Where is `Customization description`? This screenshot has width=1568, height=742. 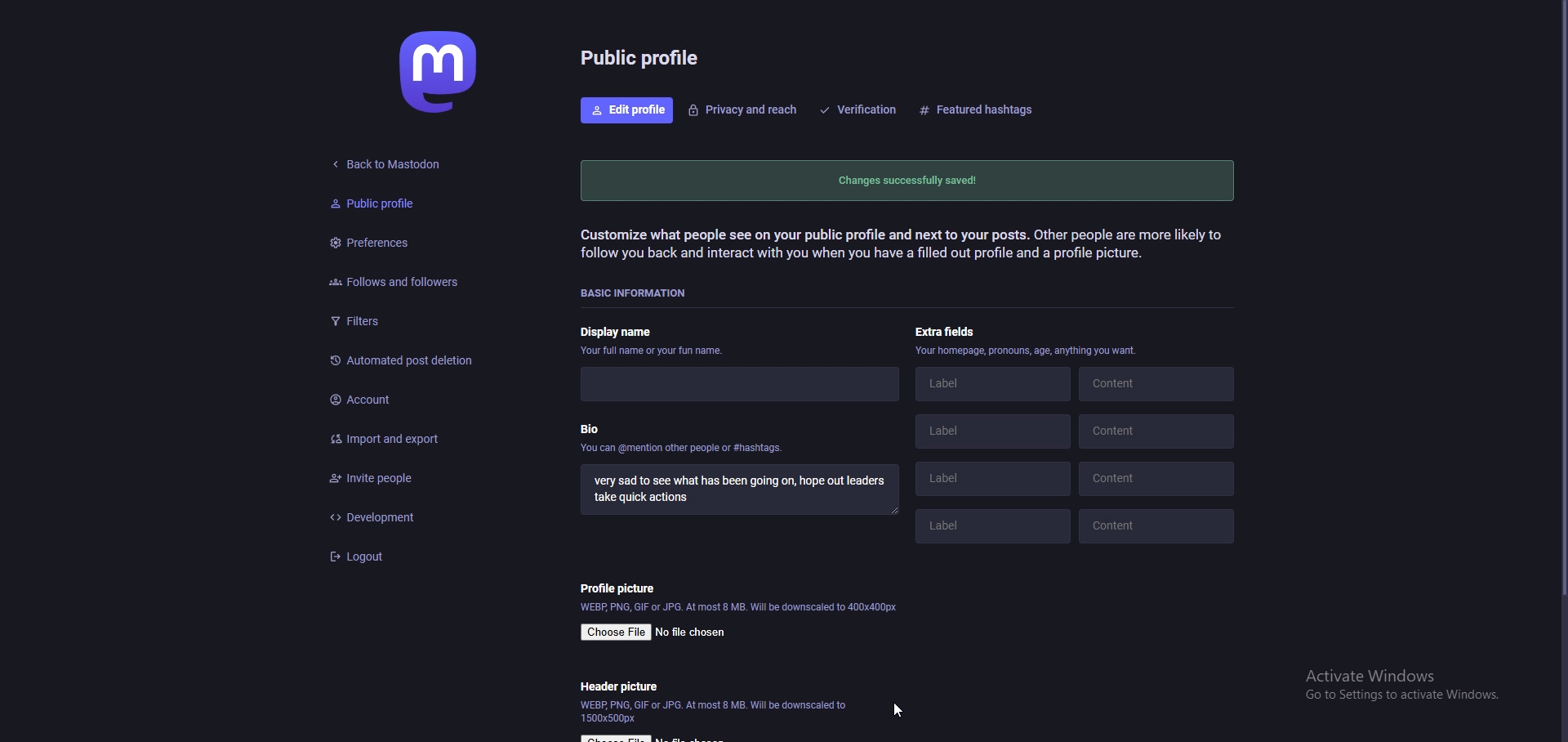
Customization description is located at coordinates (906, 243).